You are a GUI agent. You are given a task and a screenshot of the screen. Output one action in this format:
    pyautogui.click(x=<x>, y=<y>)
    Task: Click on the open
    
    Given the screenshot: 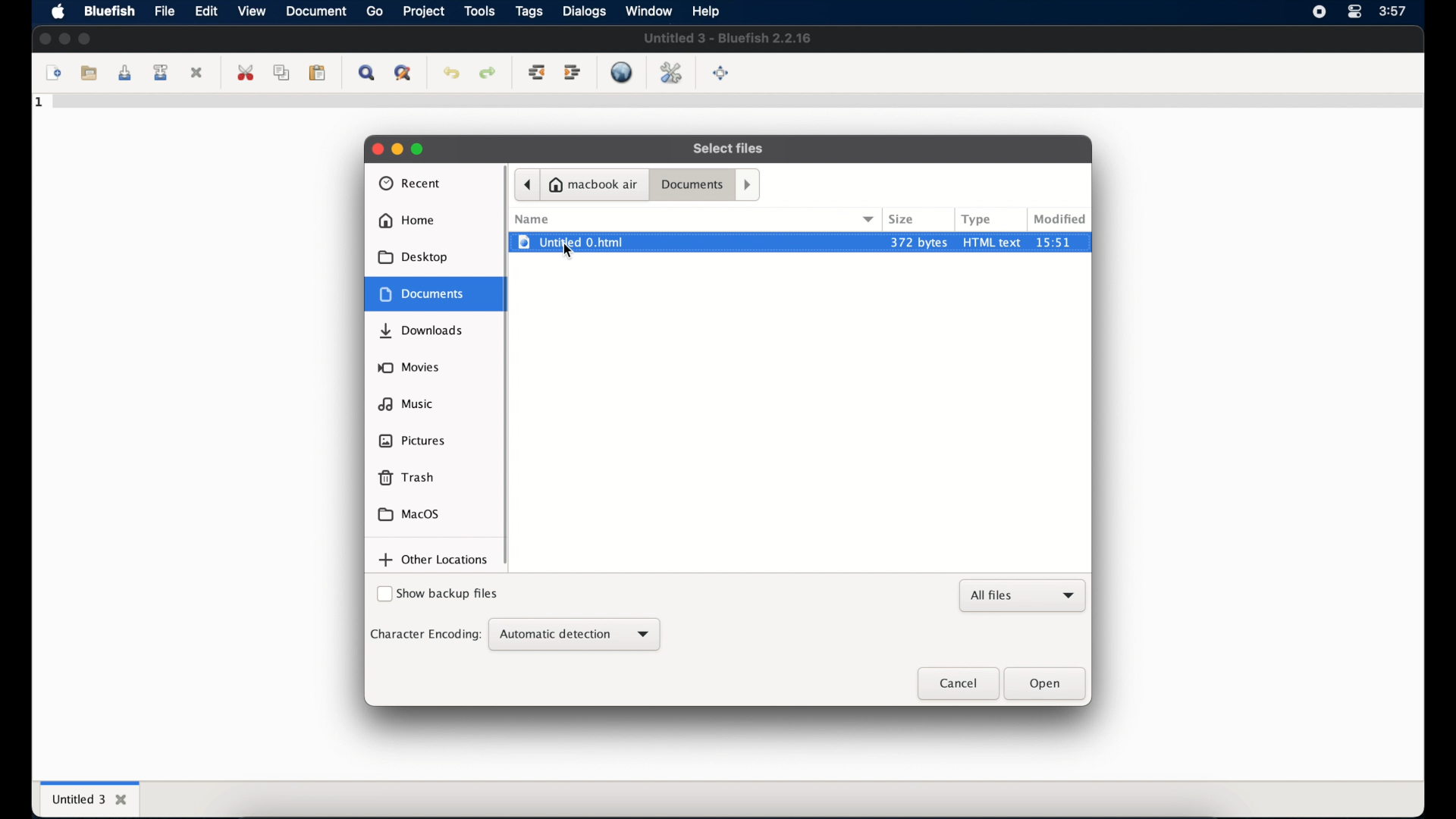 What is the action you would take?
    pyautogui.click(x=1046, y=684)
    